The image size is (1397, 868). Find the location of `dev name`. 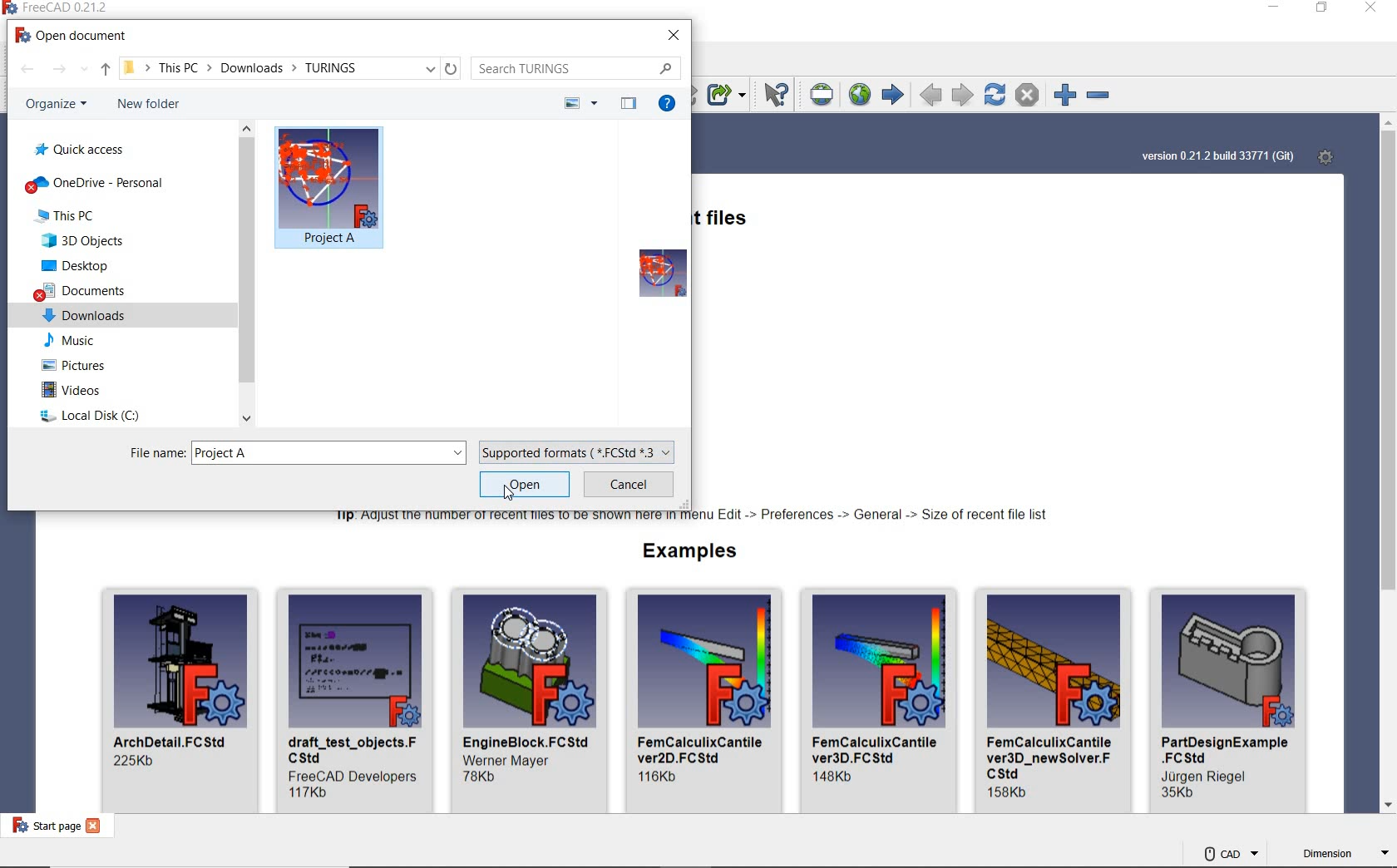

dev name is located at coordinates (353, 774).